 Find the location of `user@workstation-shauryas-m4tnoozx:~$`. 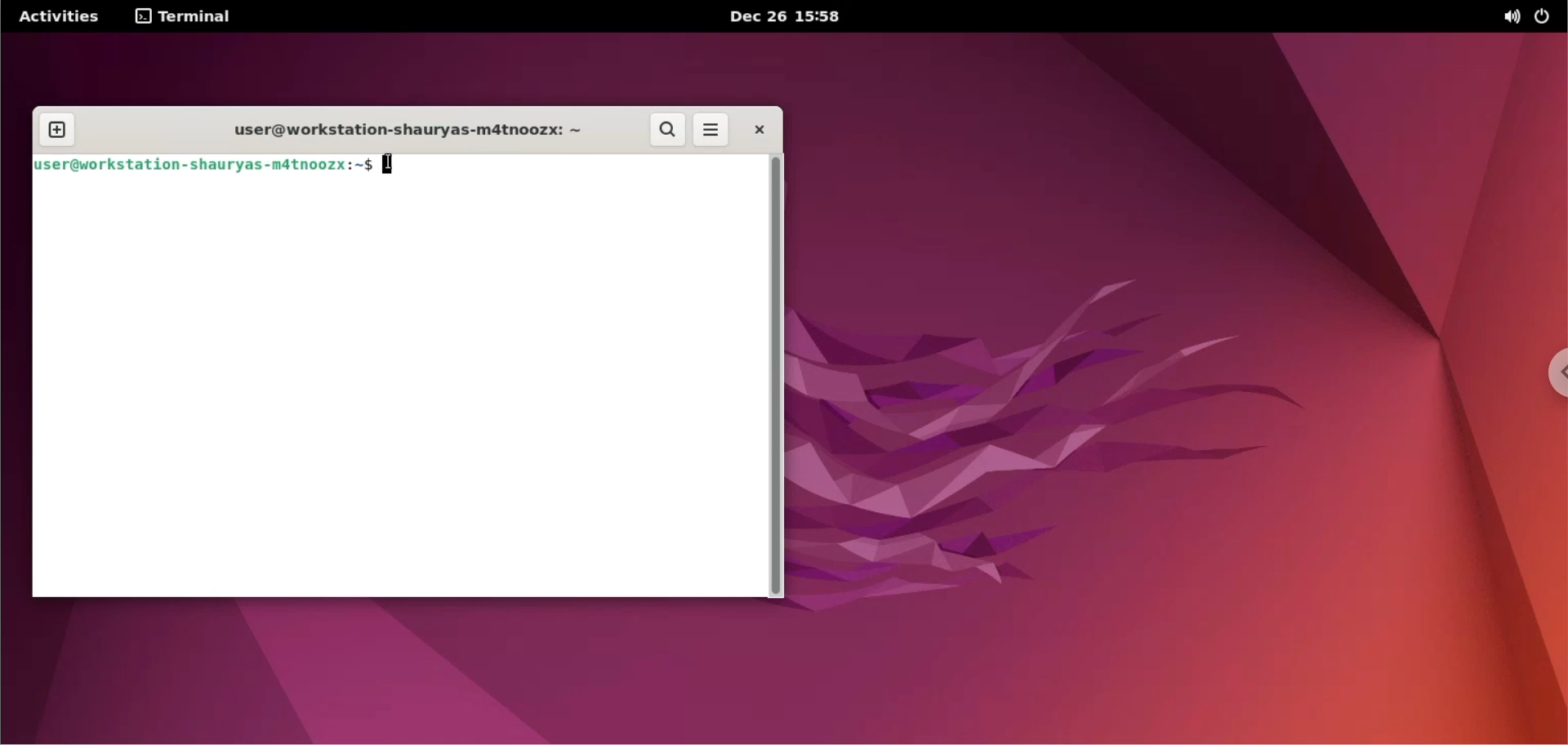

user@workstation-shauryas-m4tnoozx:~$ is located at coordinates (203, 166).